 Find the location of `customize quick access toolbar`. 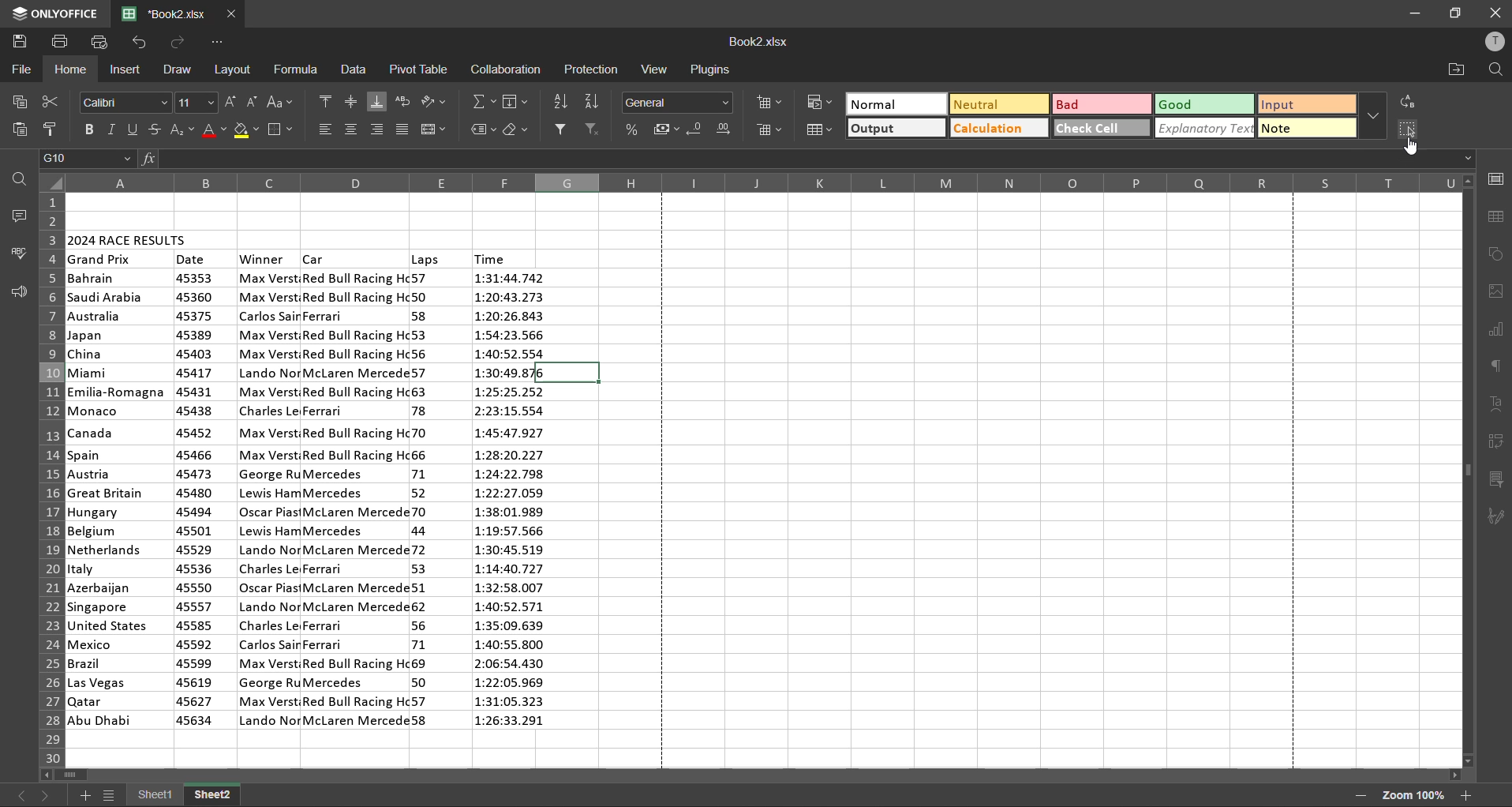

customize quick access toolbar is located at coordinates (219, 41).